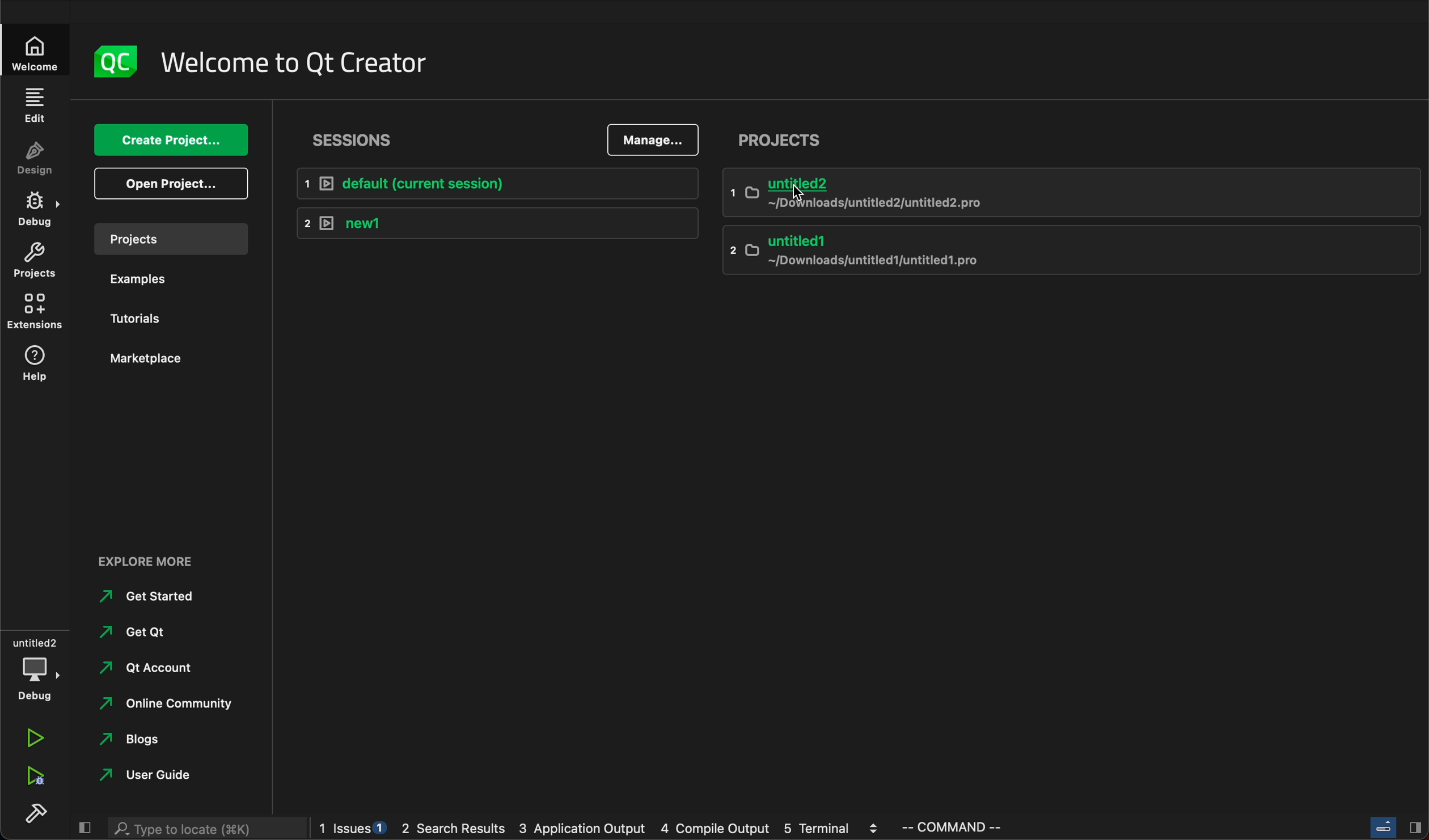  What do you see at coordinates (160, 278) in the screenshot?
I see `examples` at bounding box center [160, 278].